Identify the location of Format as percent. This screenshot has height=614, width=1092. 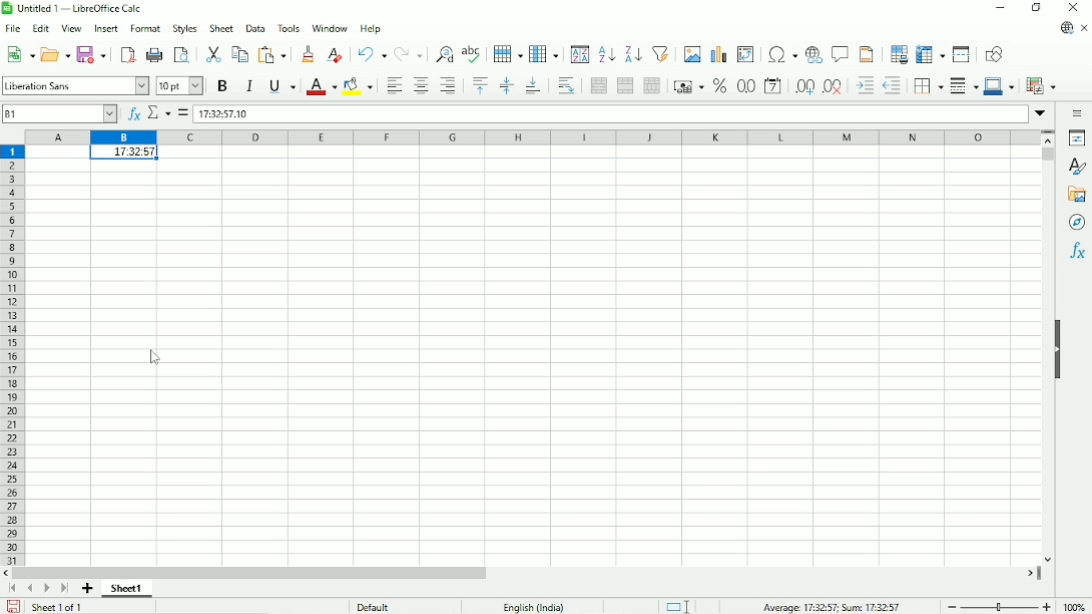
(719, 86).